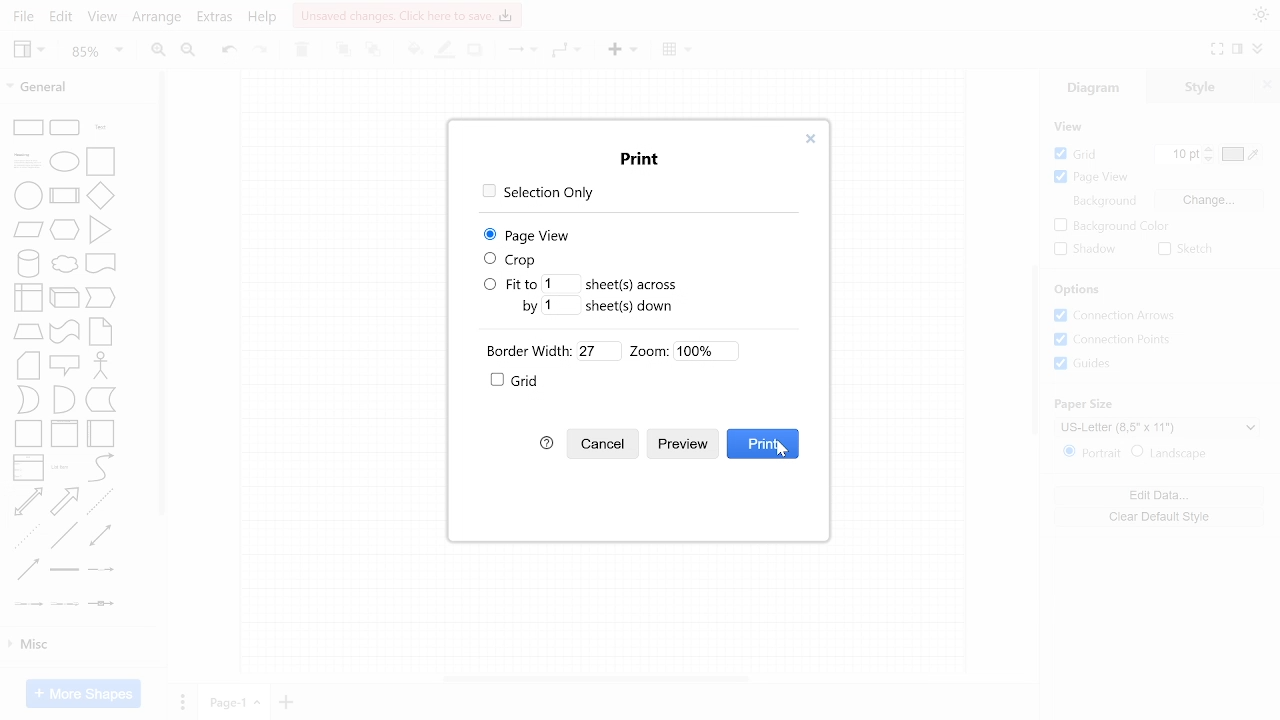  What do you see at coordinates (65, 604) in the screenshot?
I see `Connector with 3 labels` at bounding box center [65, 604].